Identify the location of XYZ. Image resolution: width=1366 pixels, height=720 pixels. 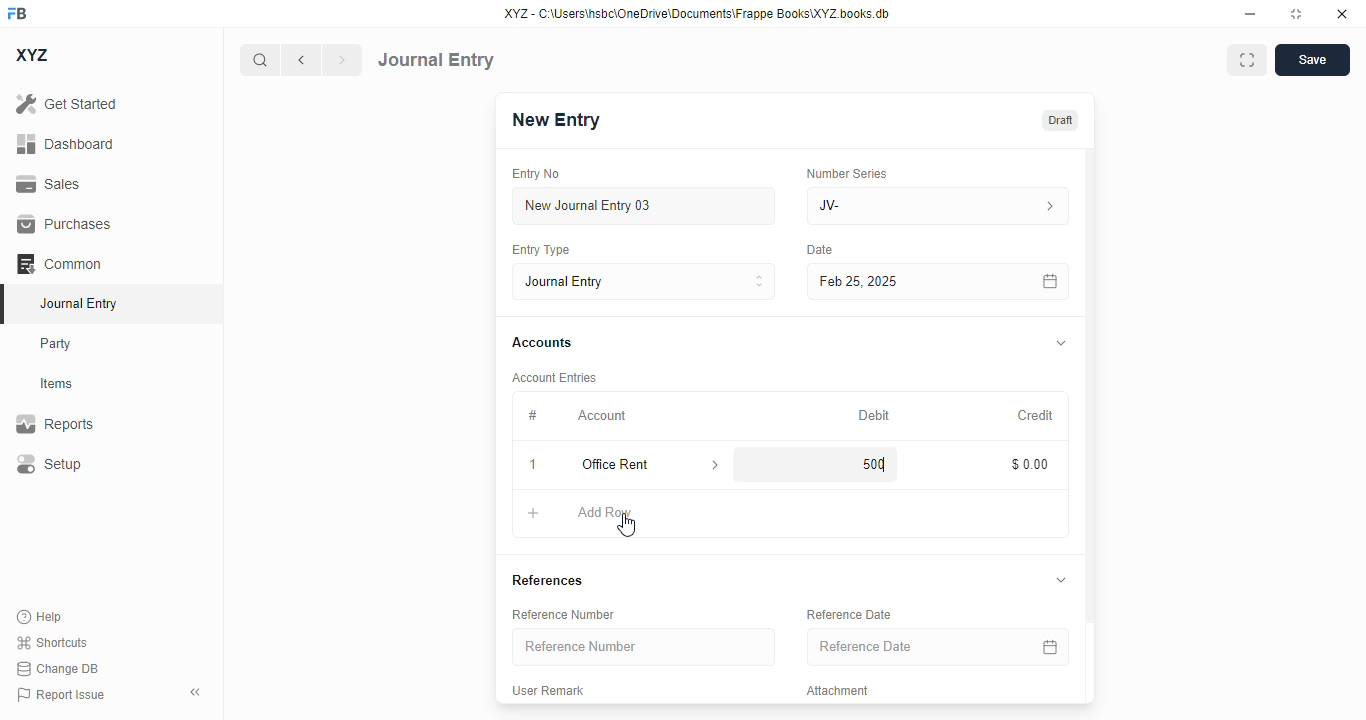
(33, 55).